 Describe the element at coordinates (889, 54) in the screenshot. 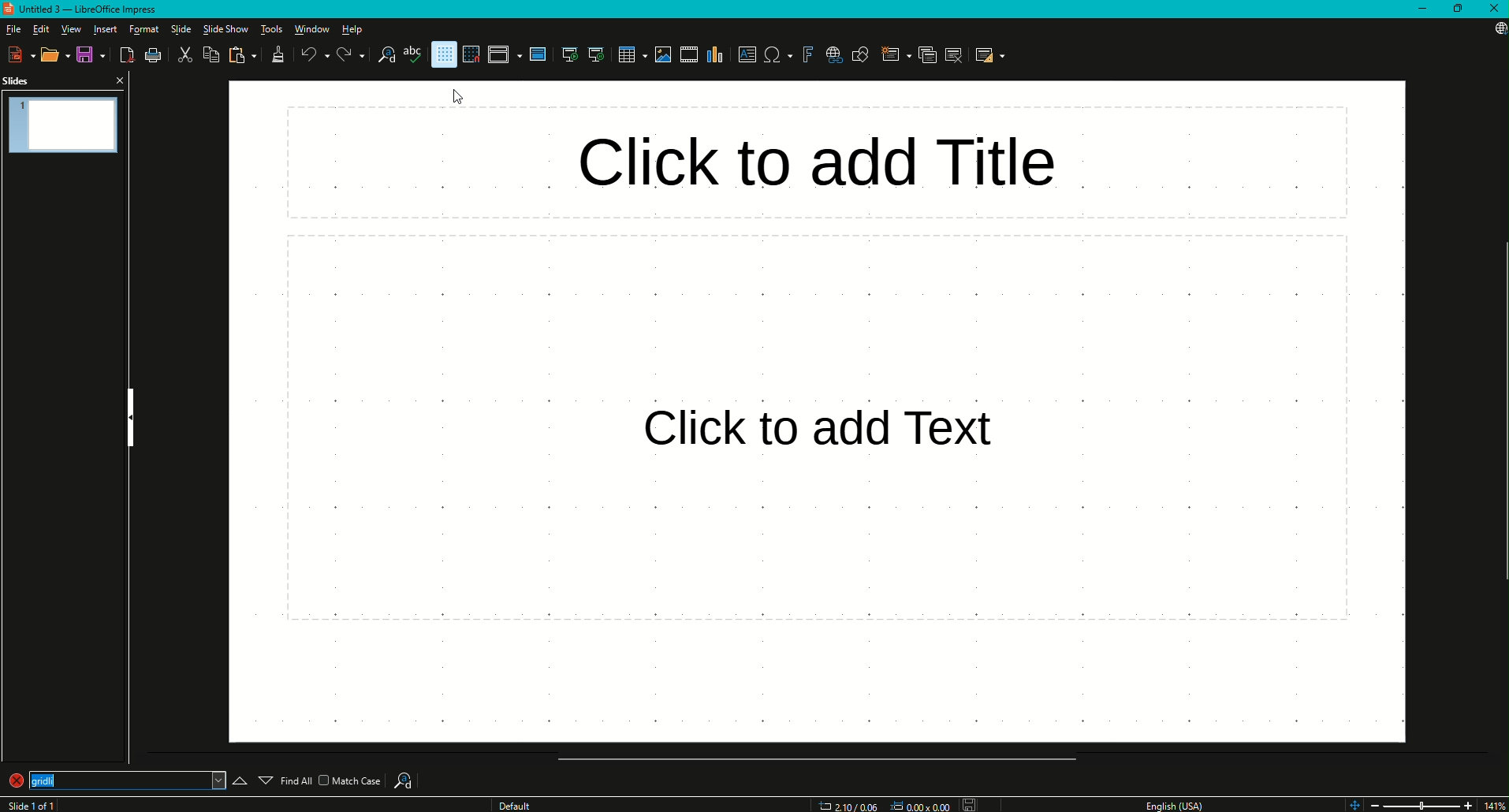

I see `New slide` at that location.